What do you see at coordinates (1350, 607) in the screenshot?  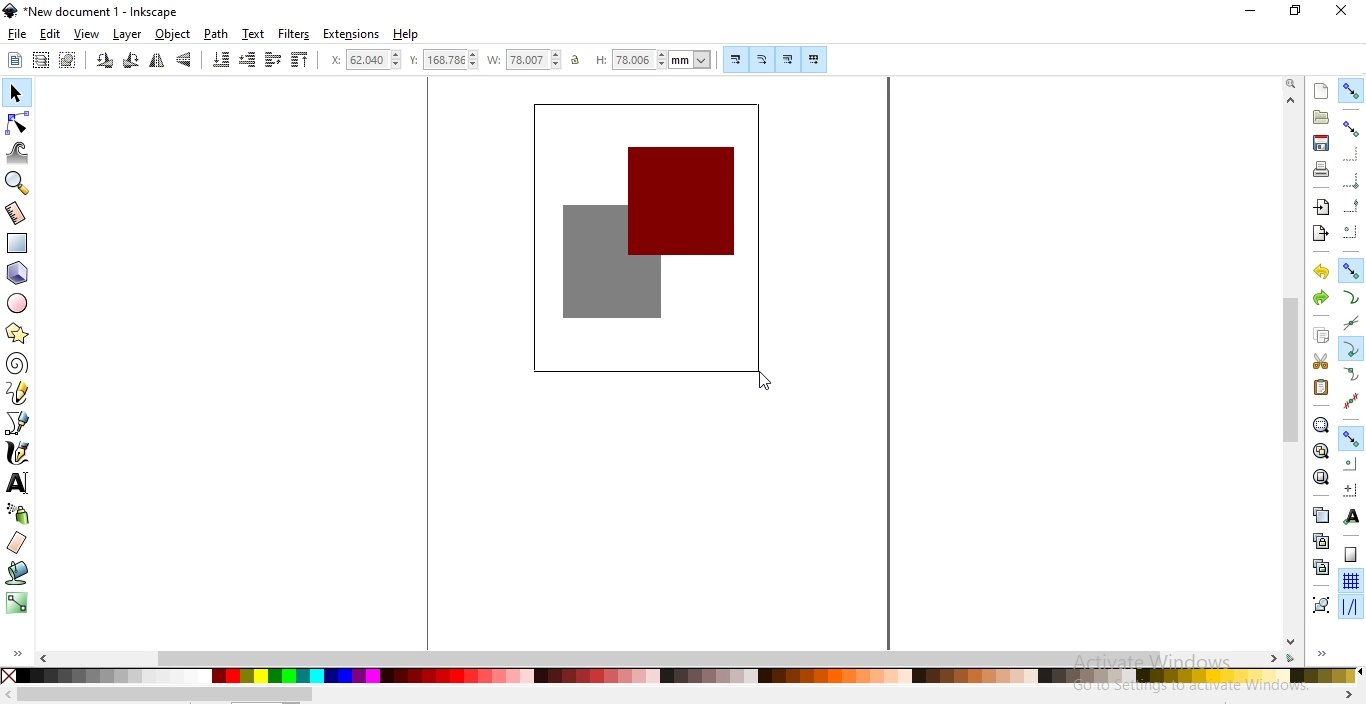 I see `snap guides` at bounding box center [1350, 607].